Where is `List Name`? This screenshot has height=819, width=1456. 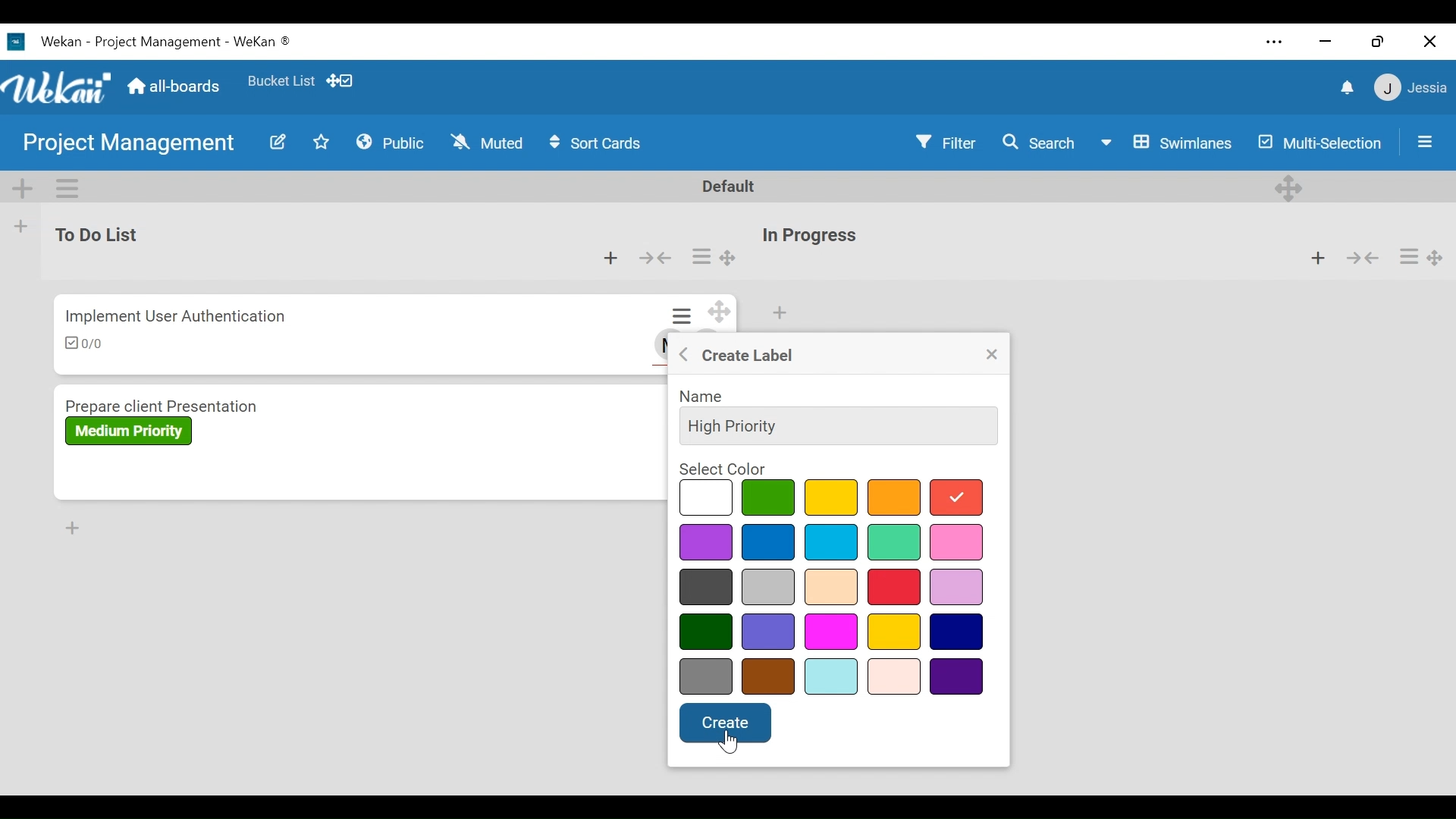
List Name is located at coordinates (94, 234).